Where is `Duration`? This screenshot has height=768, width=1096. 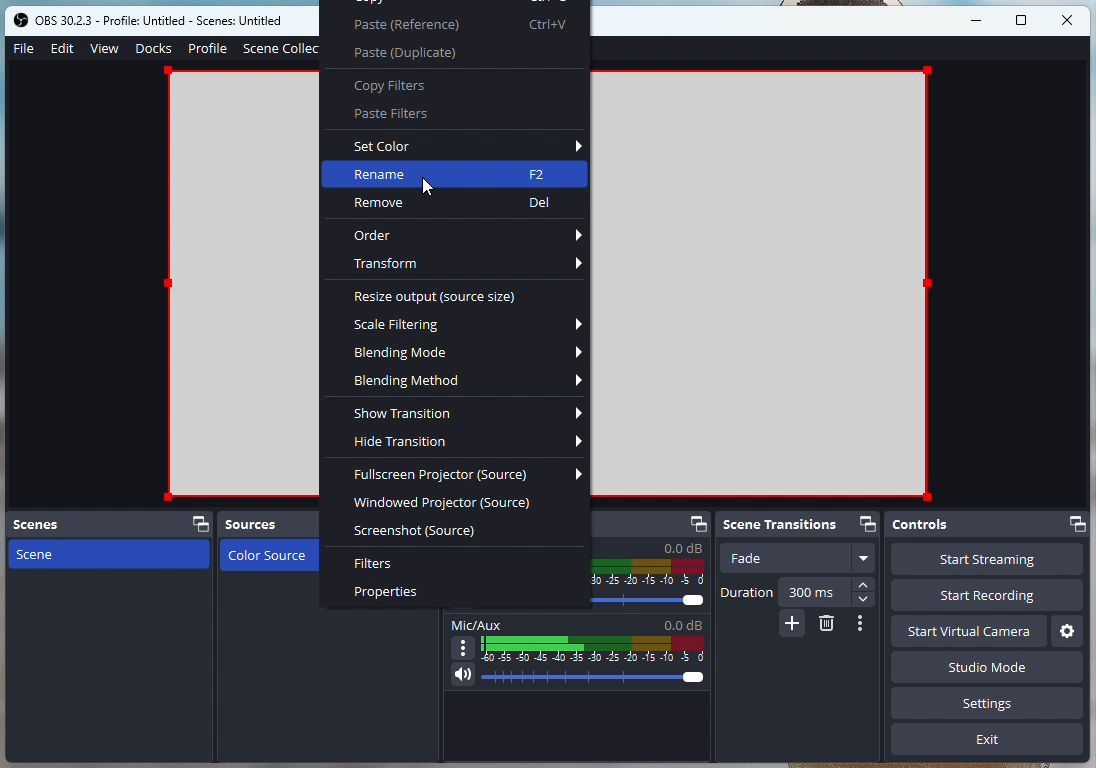 Duration is located at coordinates (798, 592).